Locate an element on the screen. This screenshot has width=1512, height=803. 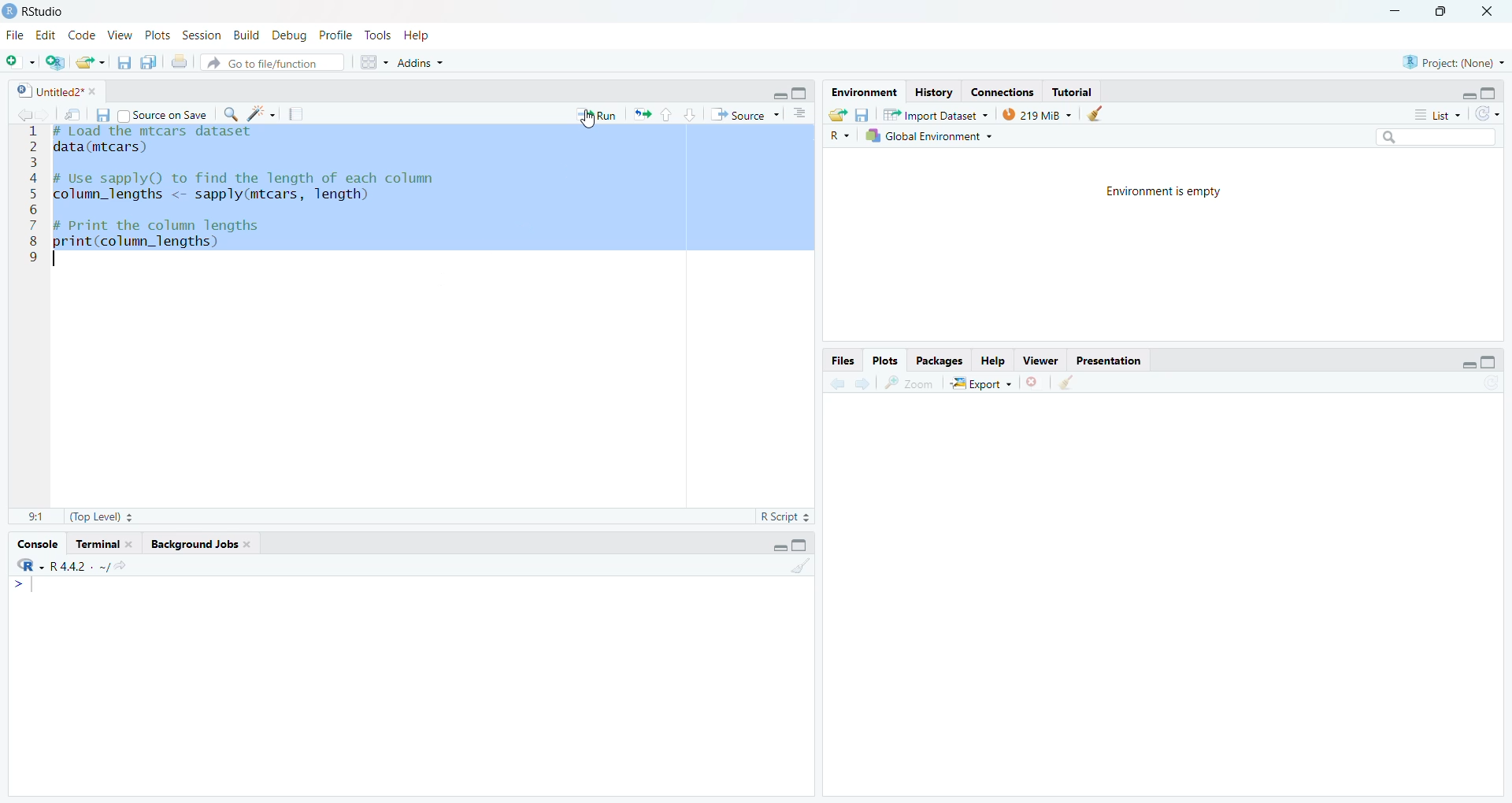
Import Dataset ~ is located at coordinates (936, 114).